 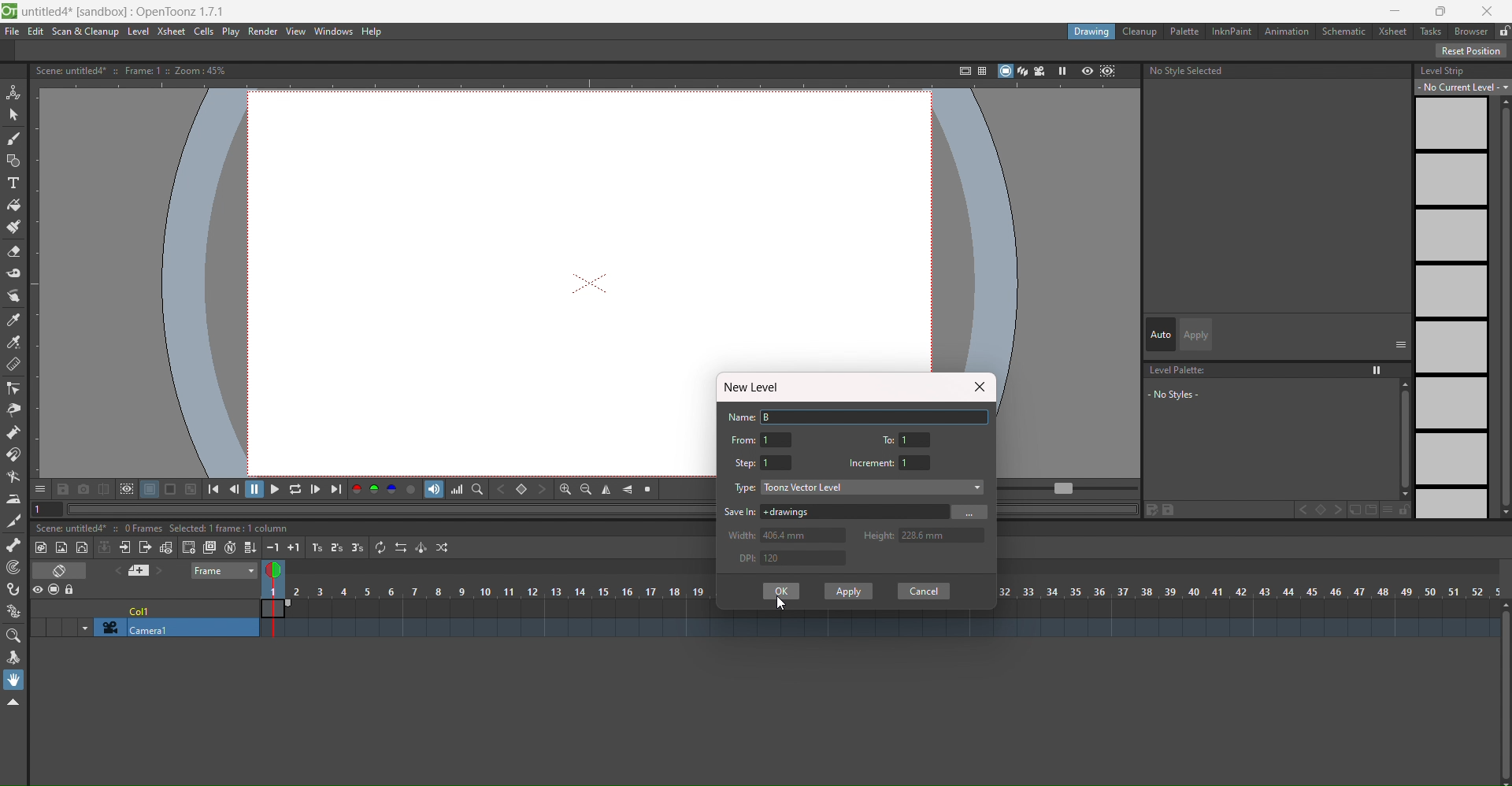 I want to click on preview, so click(x=1087, y=72).